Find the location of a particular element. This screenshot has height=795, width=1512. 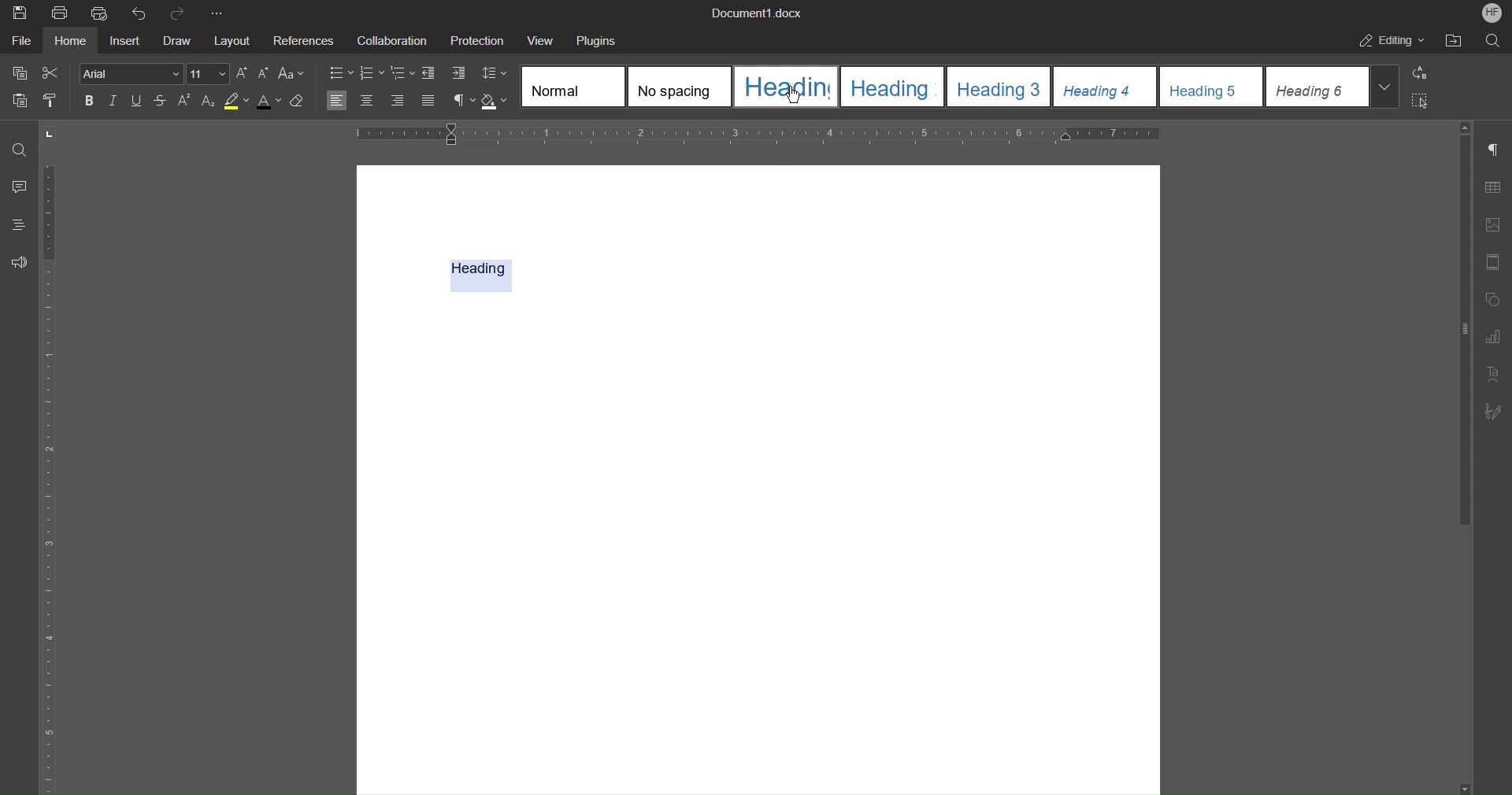

Text Art is located at coordinates (1493, 374).